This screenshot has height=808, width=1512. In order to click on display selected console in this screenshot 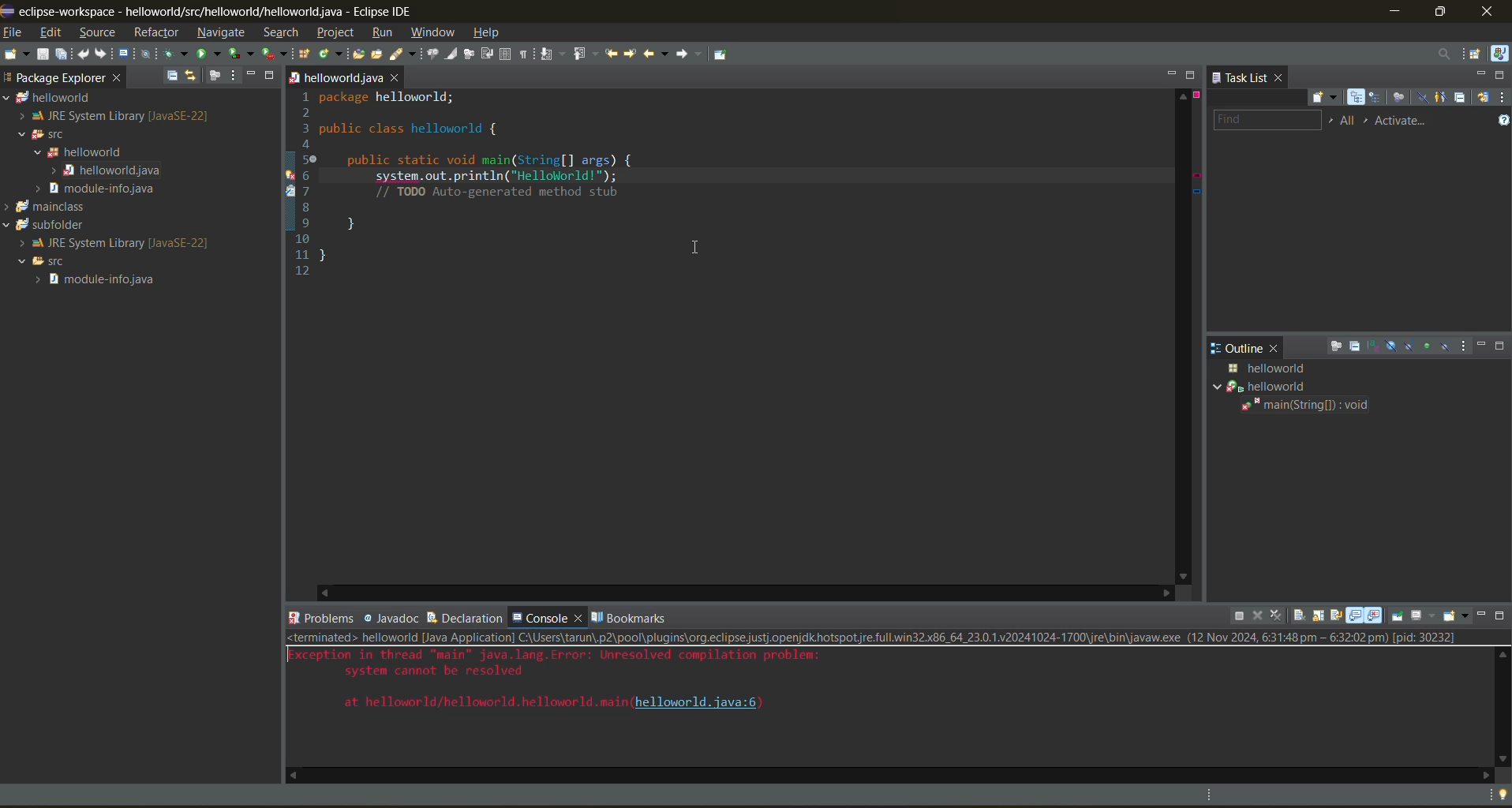, I will do `click(1424, 616)`.